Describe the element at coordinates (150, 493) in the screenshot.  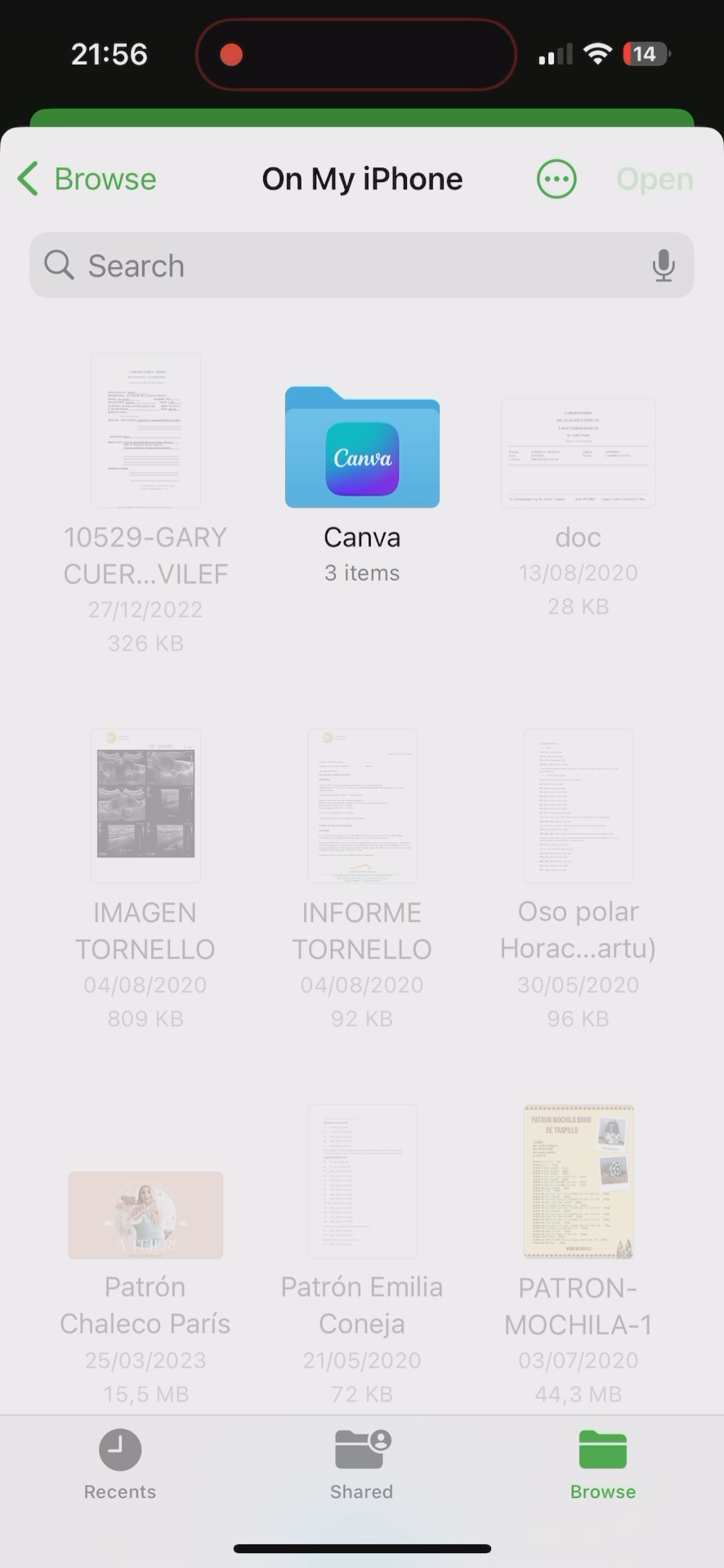
I see `105629-GARY
CUER...VILEF` at that location.